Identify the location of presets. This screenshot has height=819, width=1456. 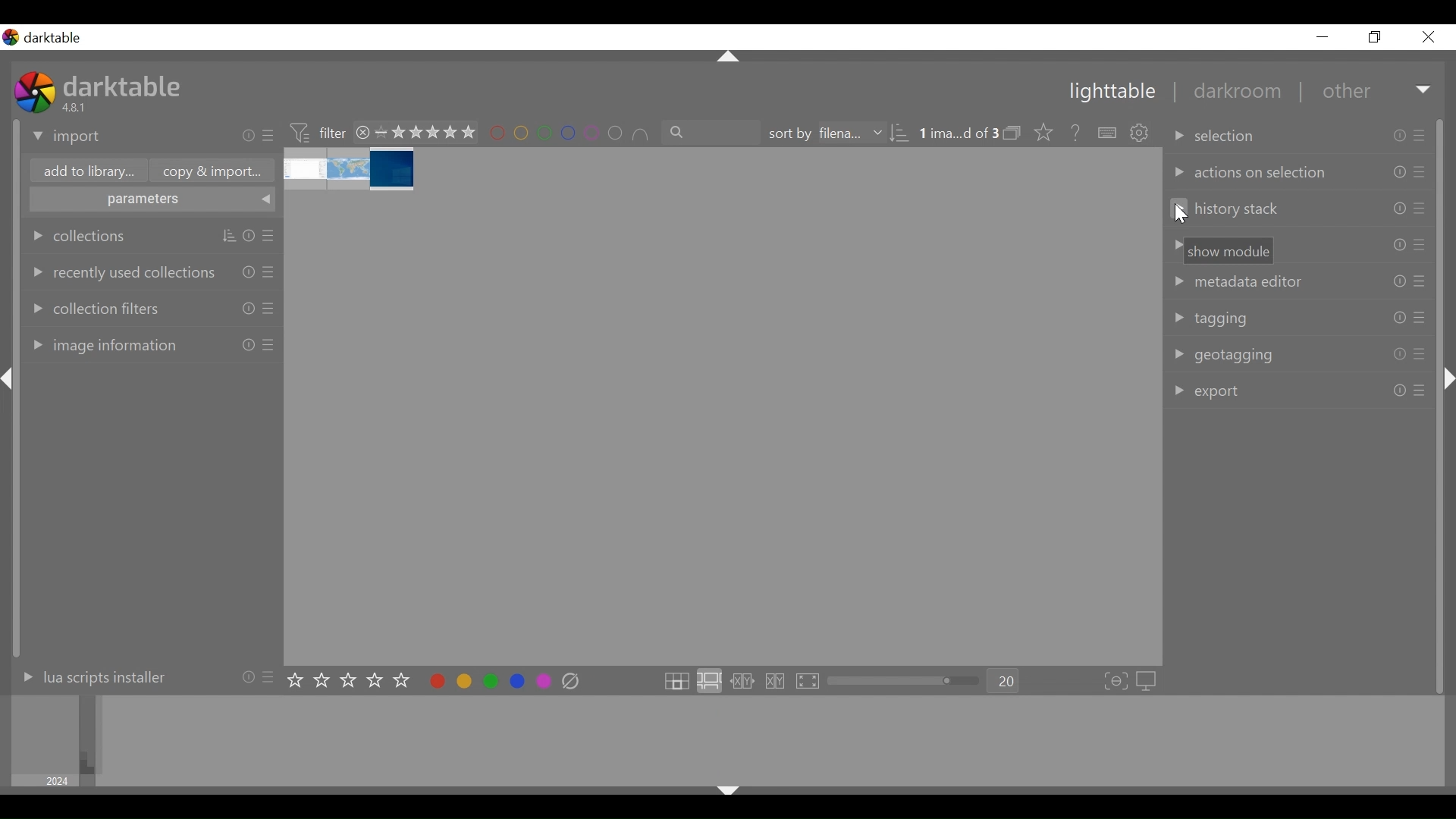
(268, 345).